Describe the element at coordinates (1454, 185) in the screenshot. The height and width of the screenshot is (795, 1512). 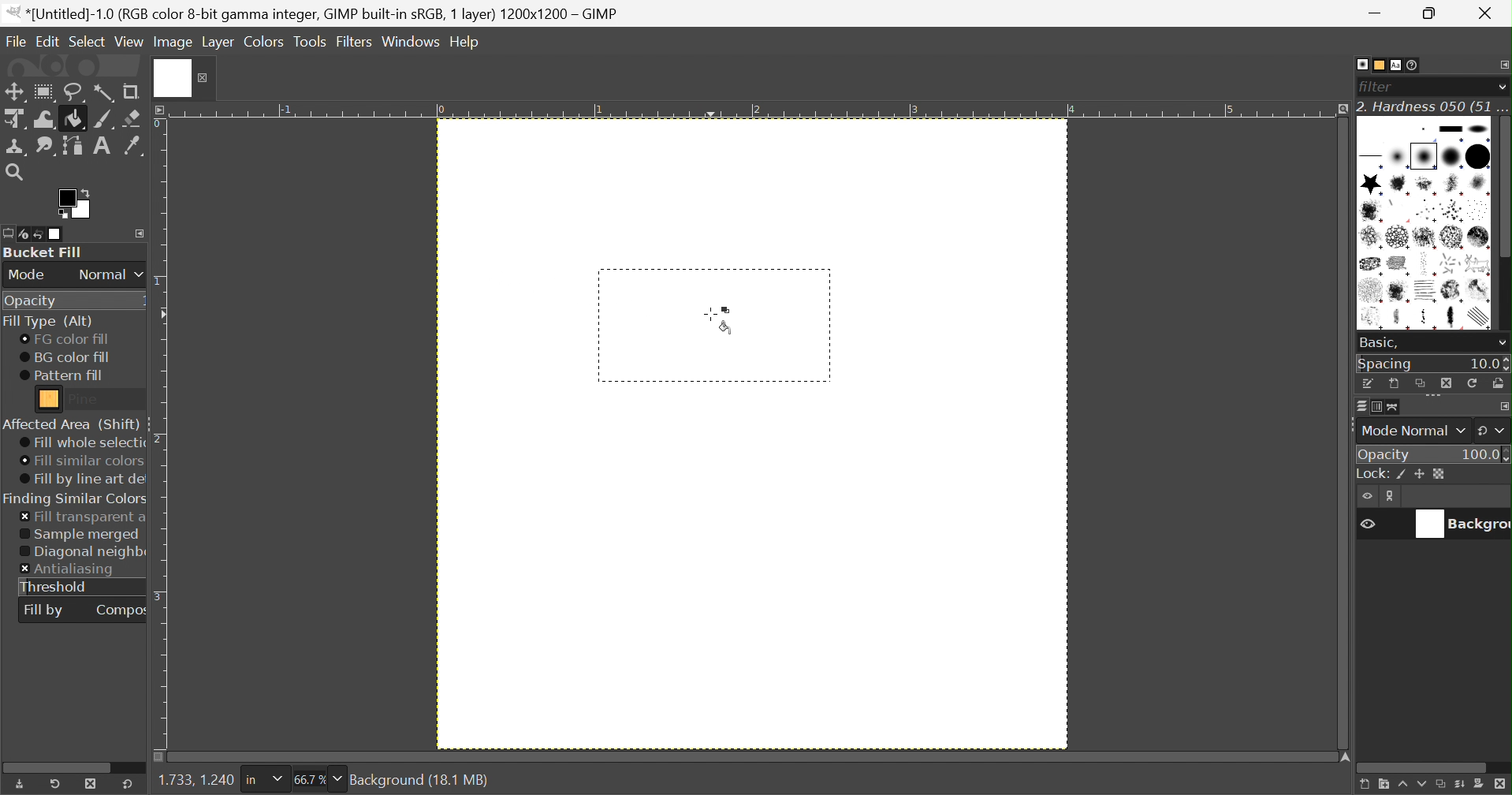
I see `Acrylic 03` at that location.